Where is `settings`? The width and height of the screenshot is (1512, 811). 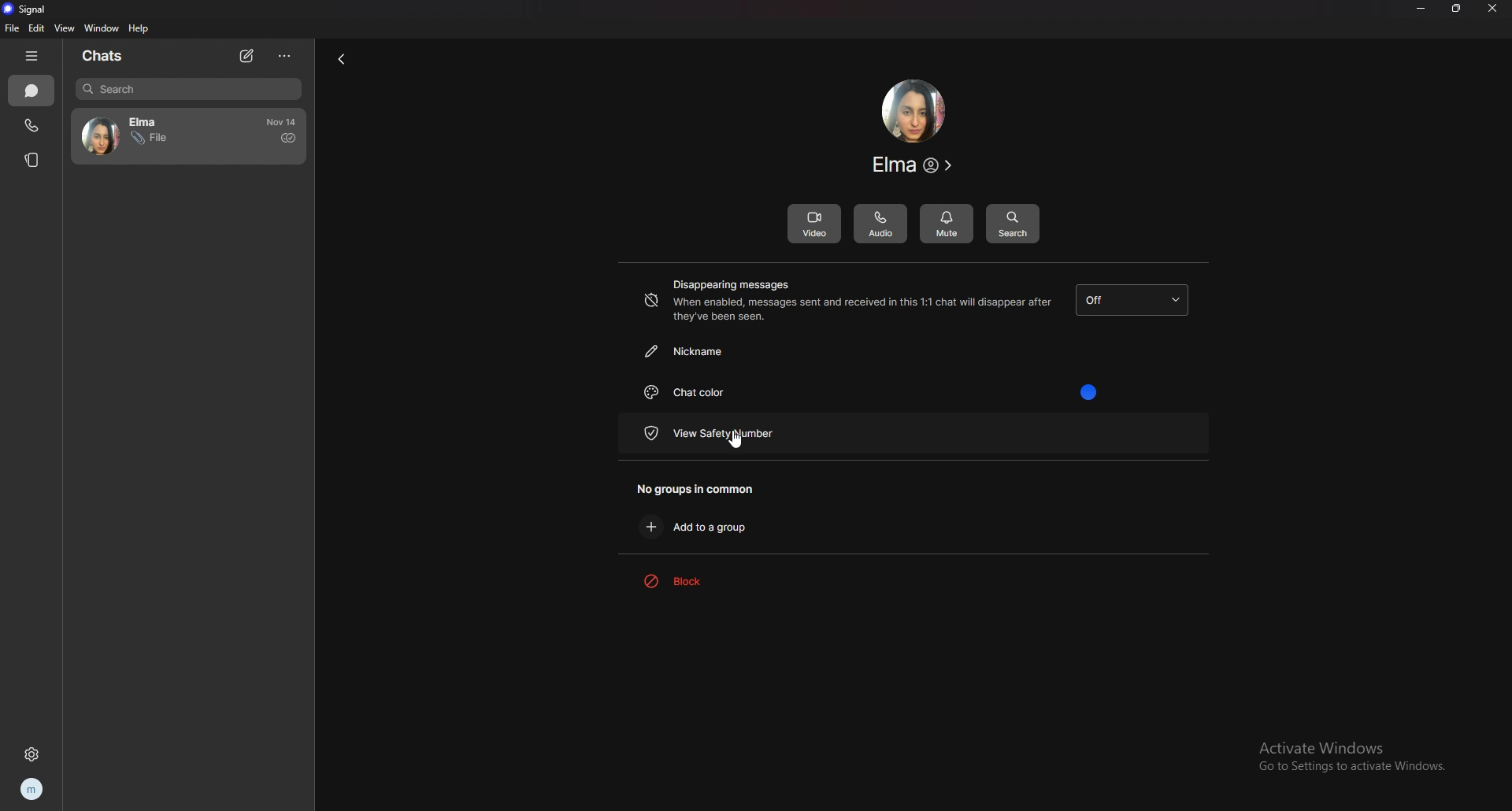
settings is located at coordinates (31, 754).